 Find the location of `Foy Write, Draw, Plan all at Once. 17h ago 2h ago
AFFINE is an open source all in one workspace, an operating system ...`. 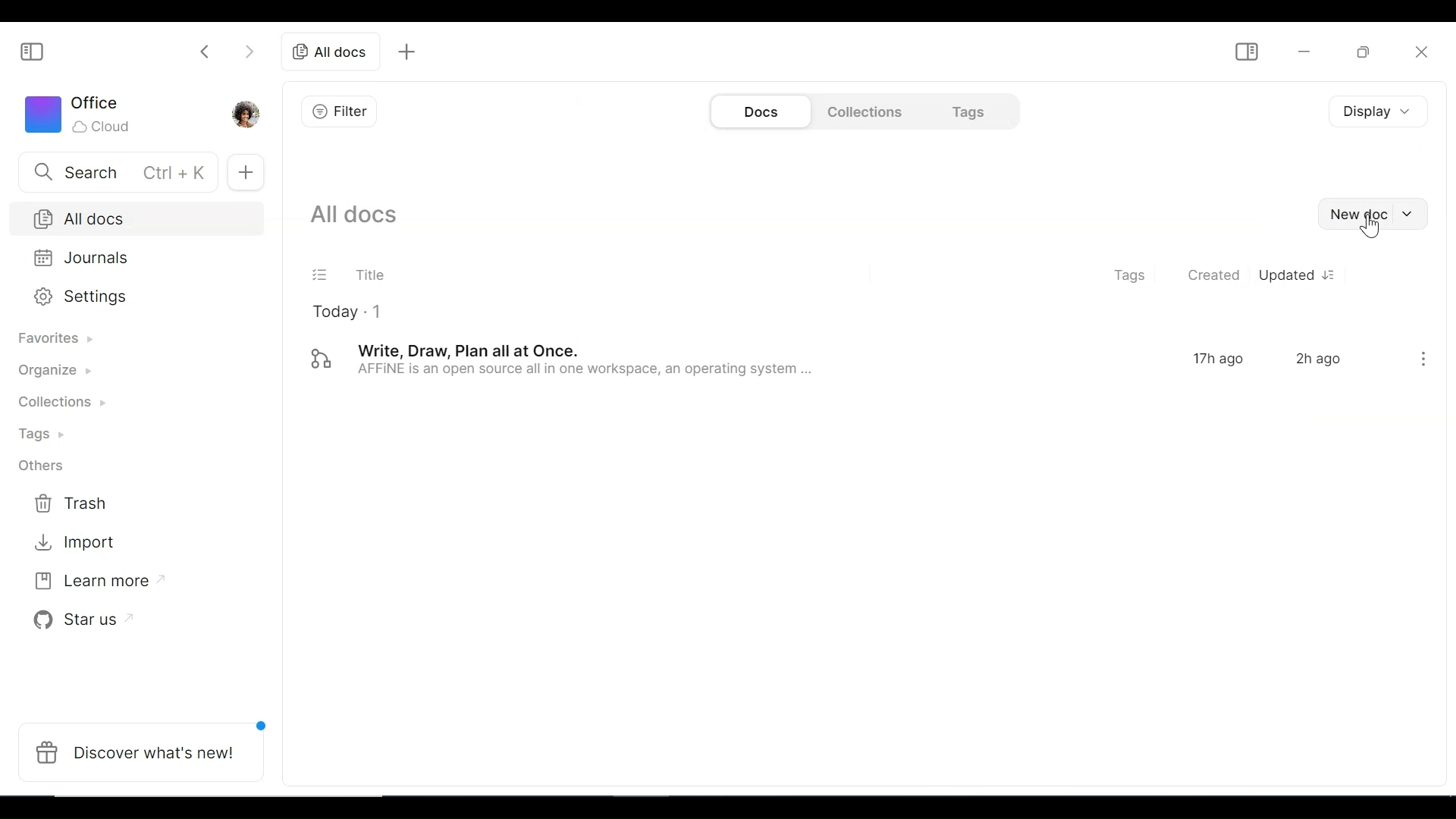

Foy Write, Draw, Plan all at Once. 17h ago 2h ago
AFFINE is an open source all in one workspace, an operating system ... is located at coordinates (733, 359).